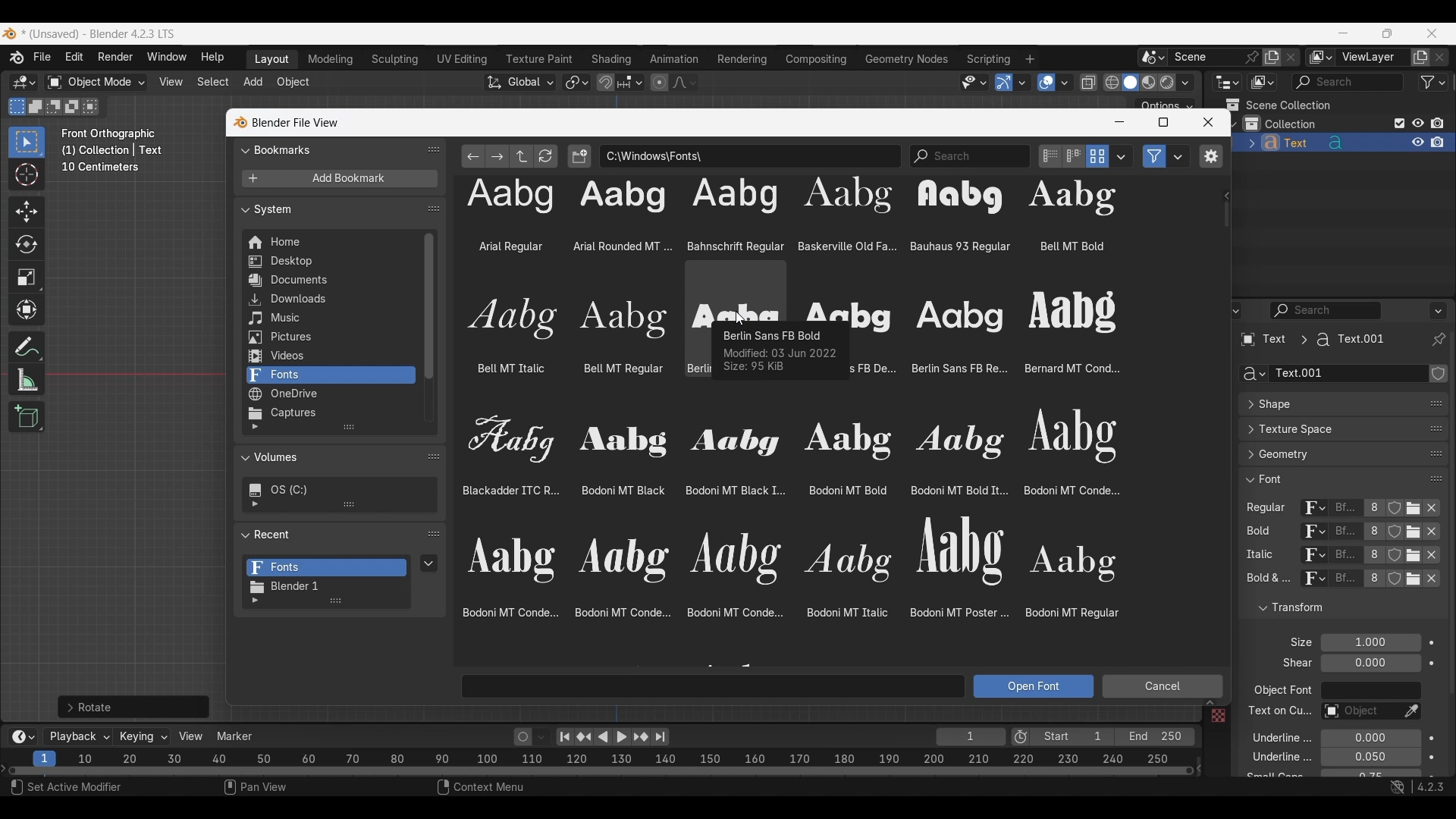  Describe the element at coordinates (541, 59) in the screenshot. I see `Texture paint workspace` at that location.